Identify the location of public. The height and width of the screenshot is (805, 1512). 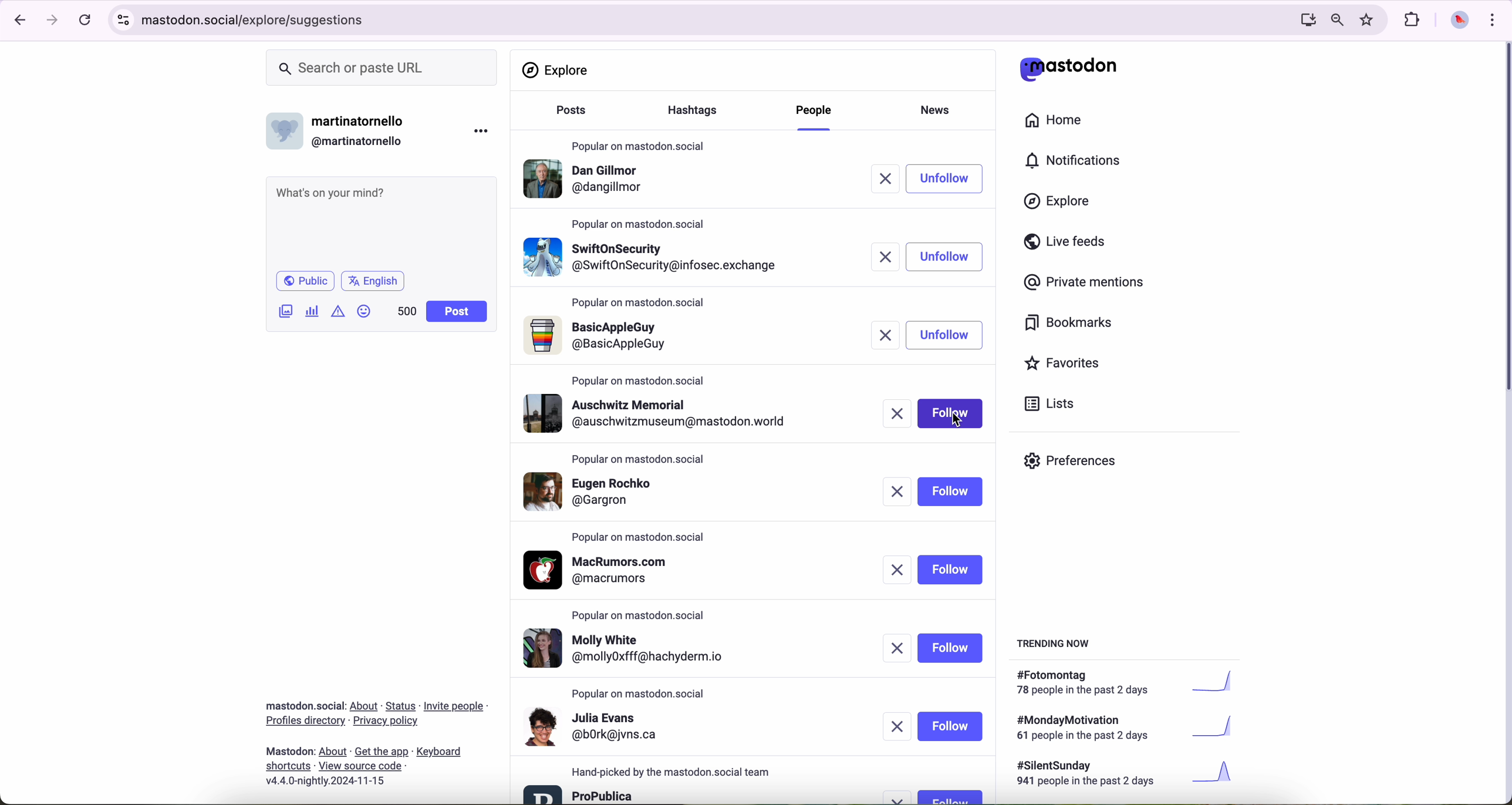
(304, 281).